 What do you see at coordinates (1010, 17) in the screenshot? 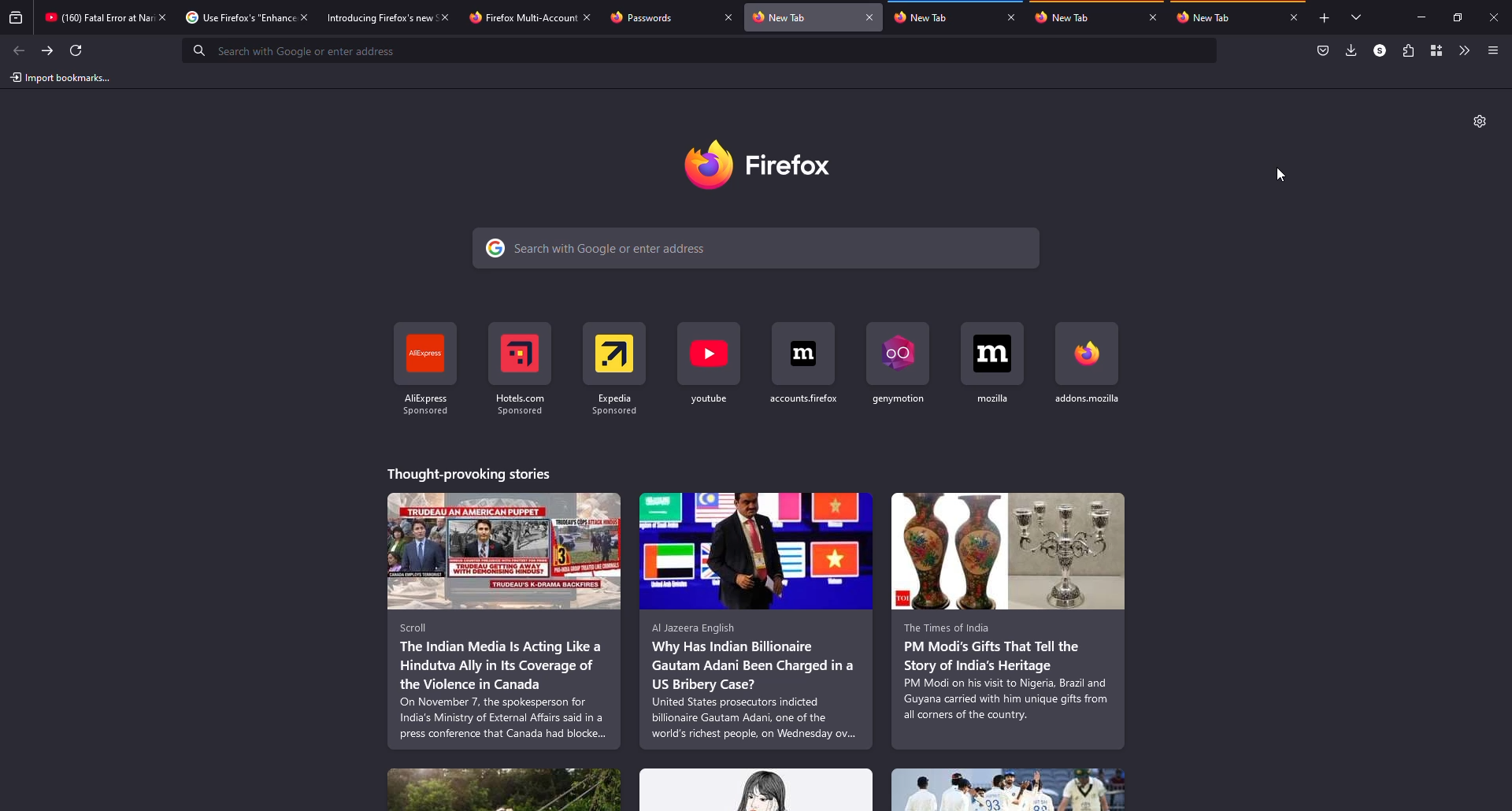
I see `close` at bounding box center [1010, 17].